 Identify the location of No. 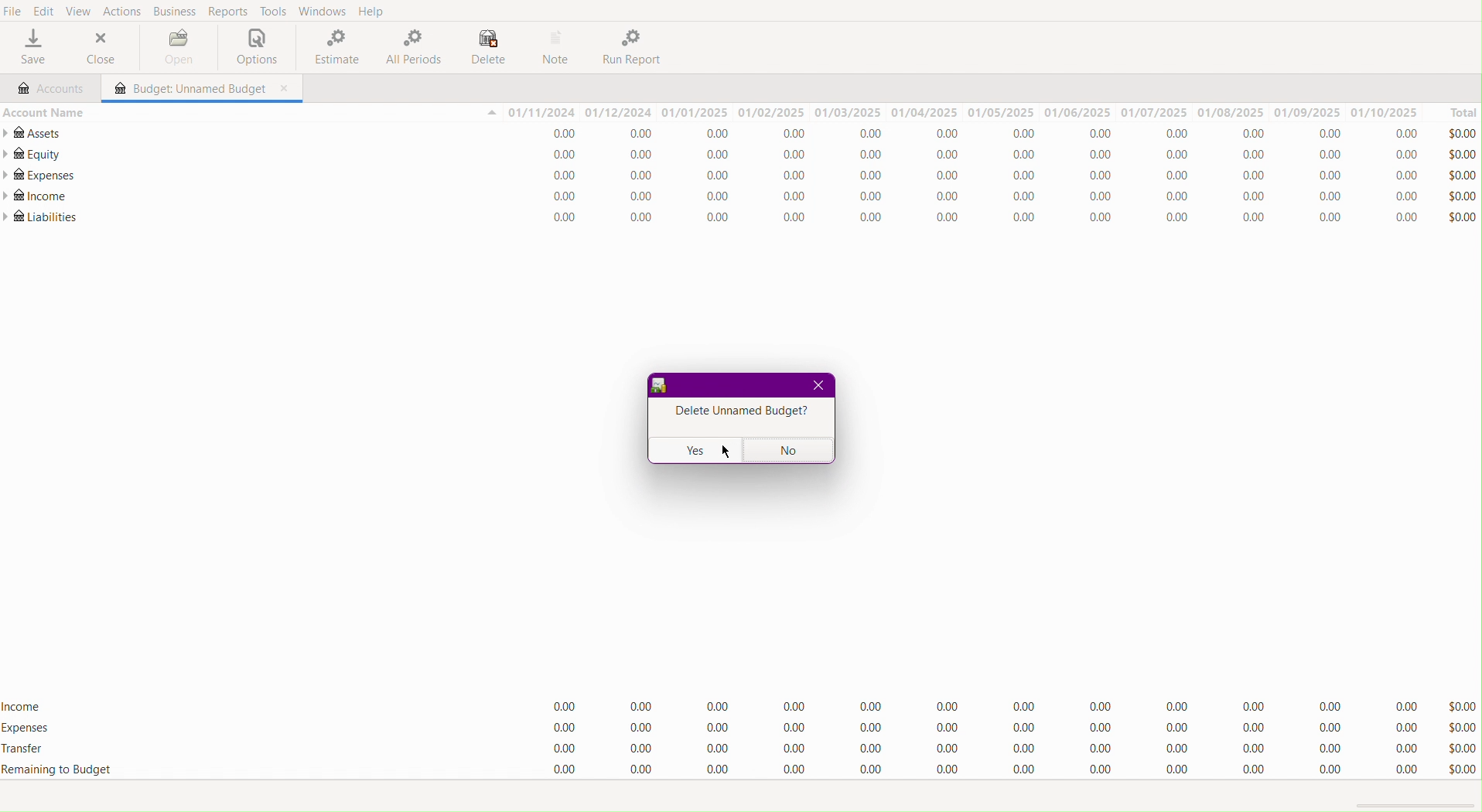
(789, 450).